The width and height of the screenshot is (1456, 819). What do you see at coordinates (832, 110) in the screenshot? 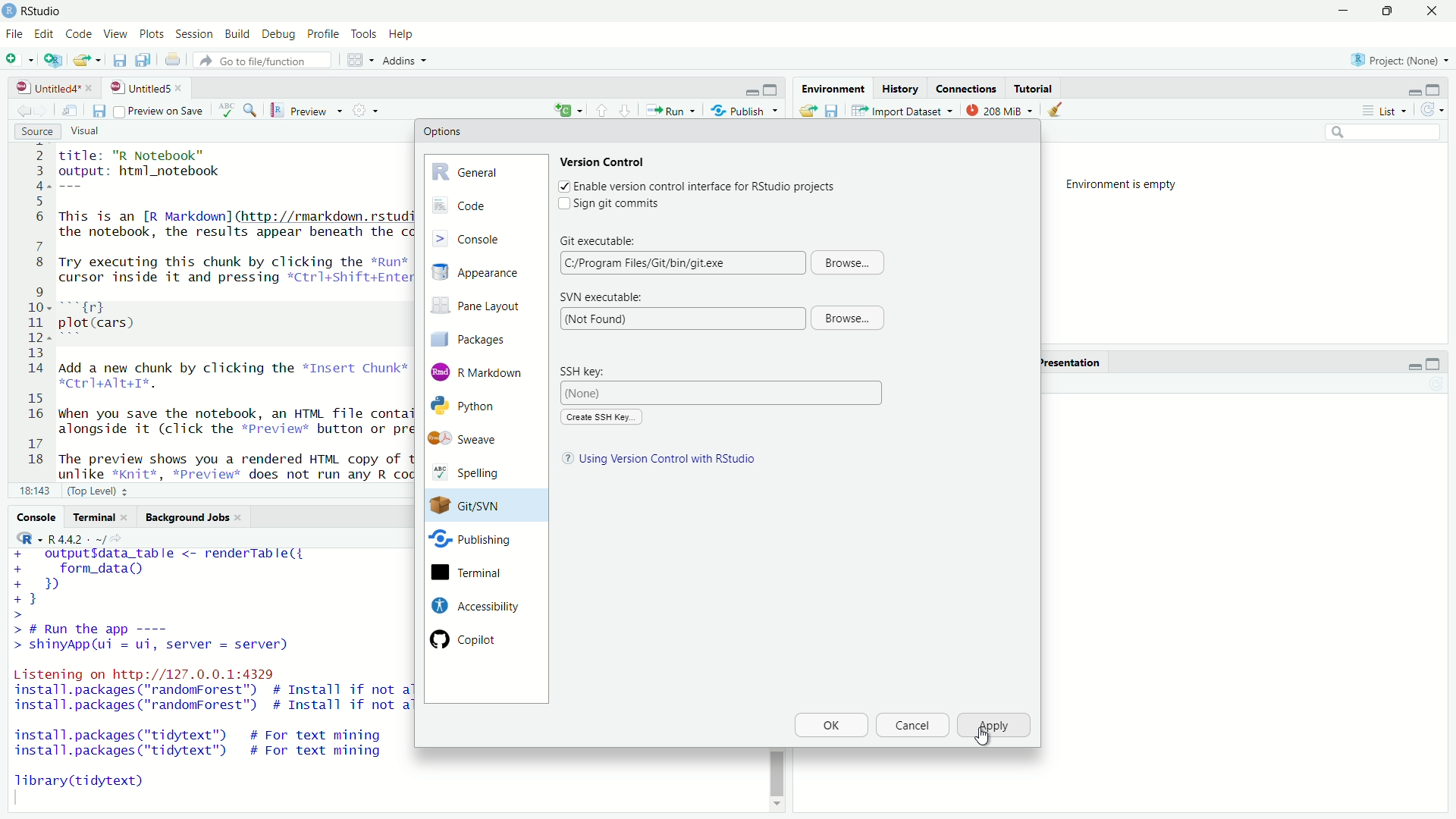
I see `save workspace` at bounding box center [832, 110].